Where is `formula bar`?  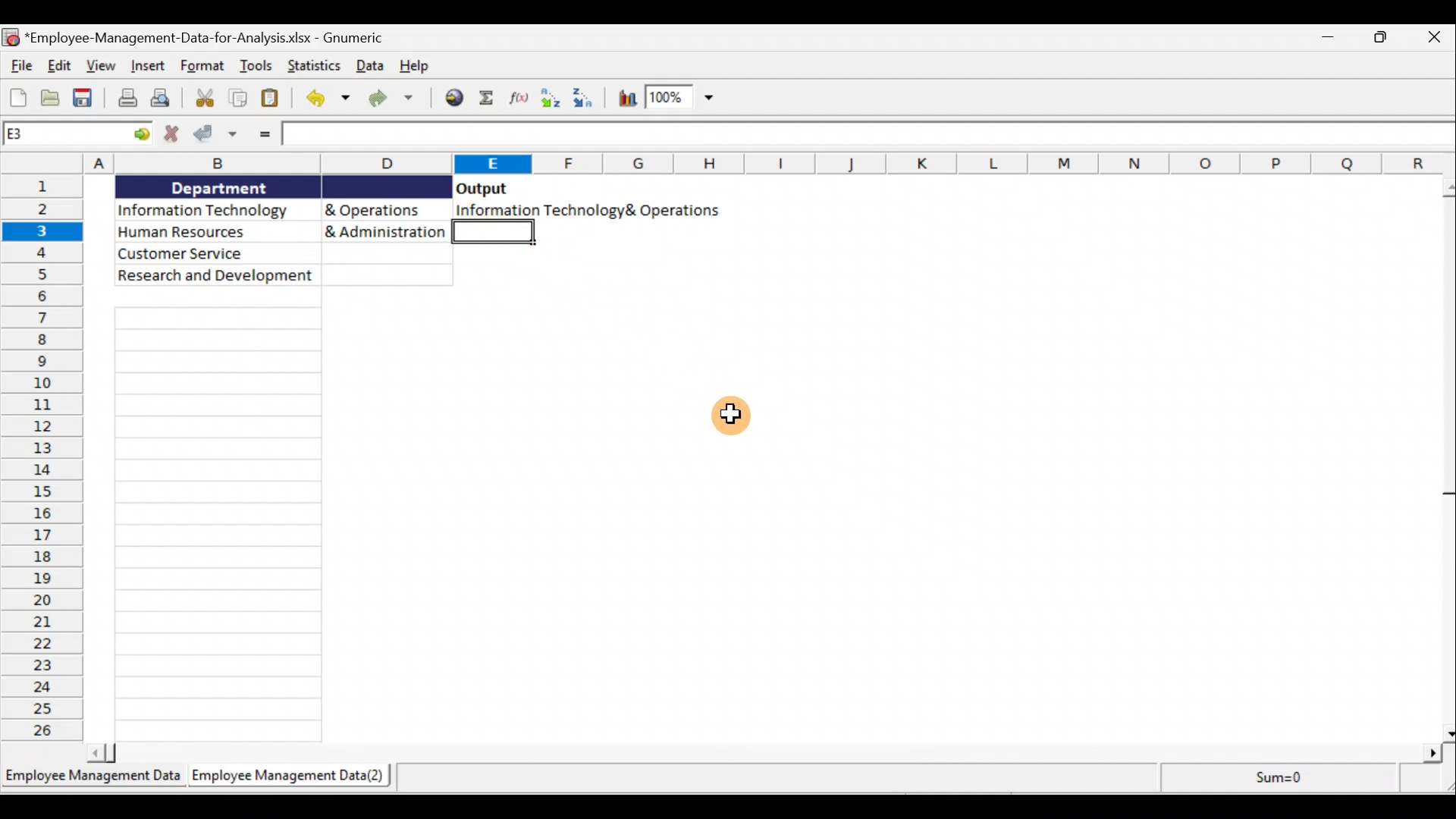
formula bar is located at coordinates (872, 135).